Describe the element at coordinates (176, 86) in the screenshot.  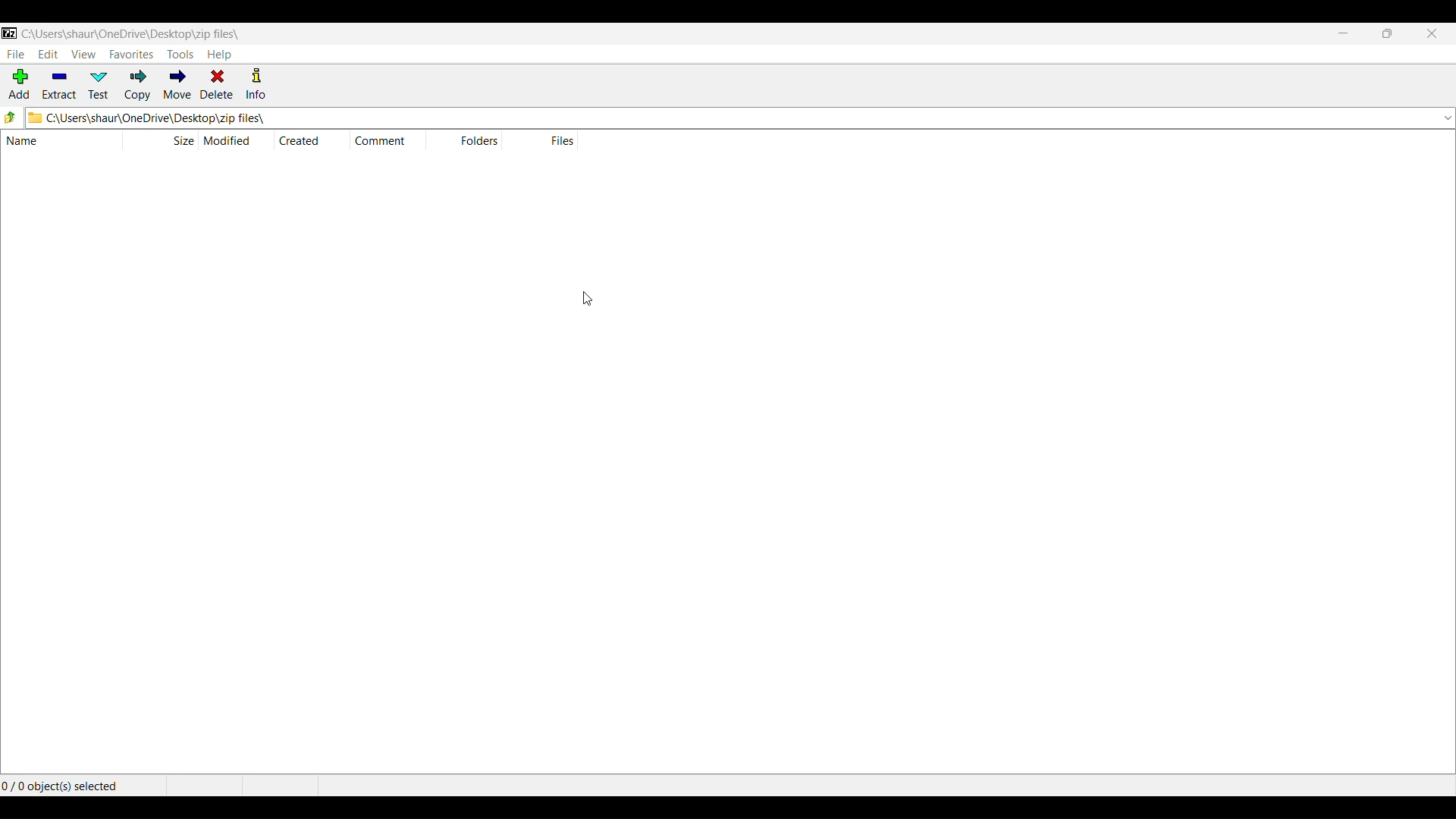
I see `MOVE` at that location.